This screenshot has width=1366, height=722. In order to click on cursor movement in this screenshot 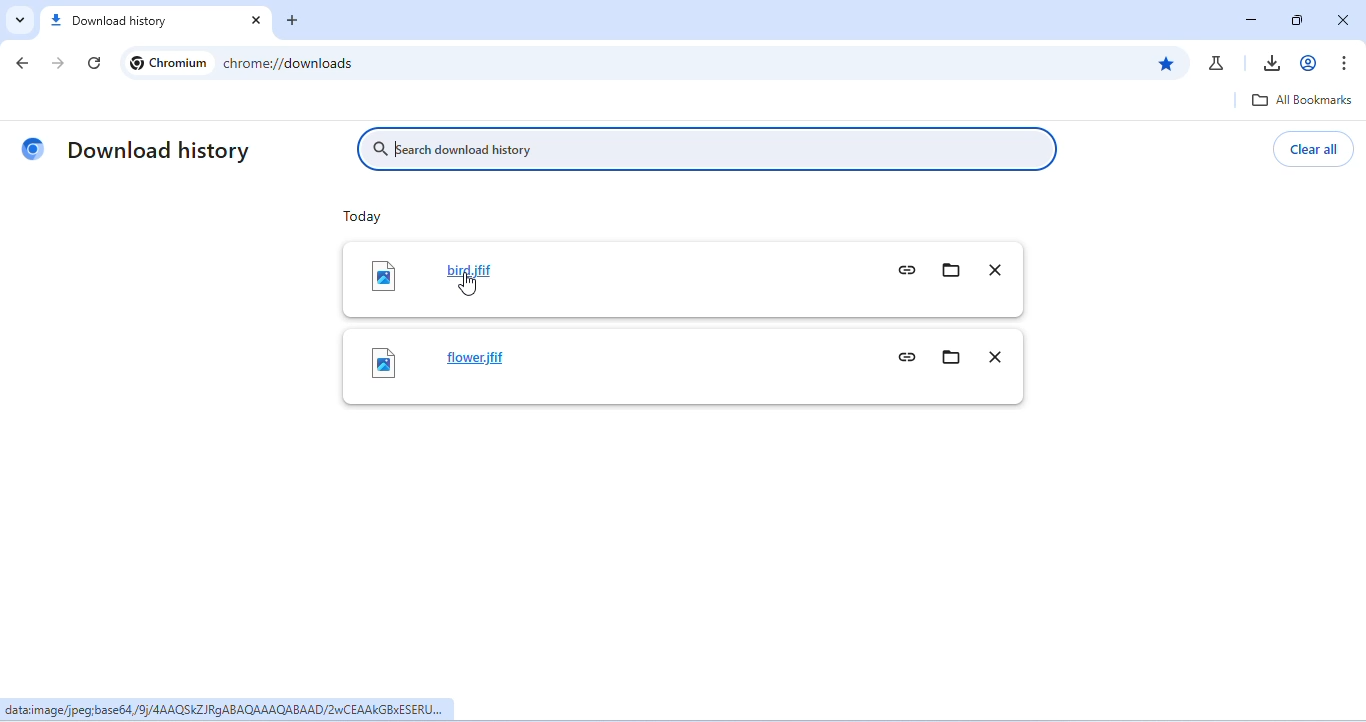, I will do `click(472, 287)`.